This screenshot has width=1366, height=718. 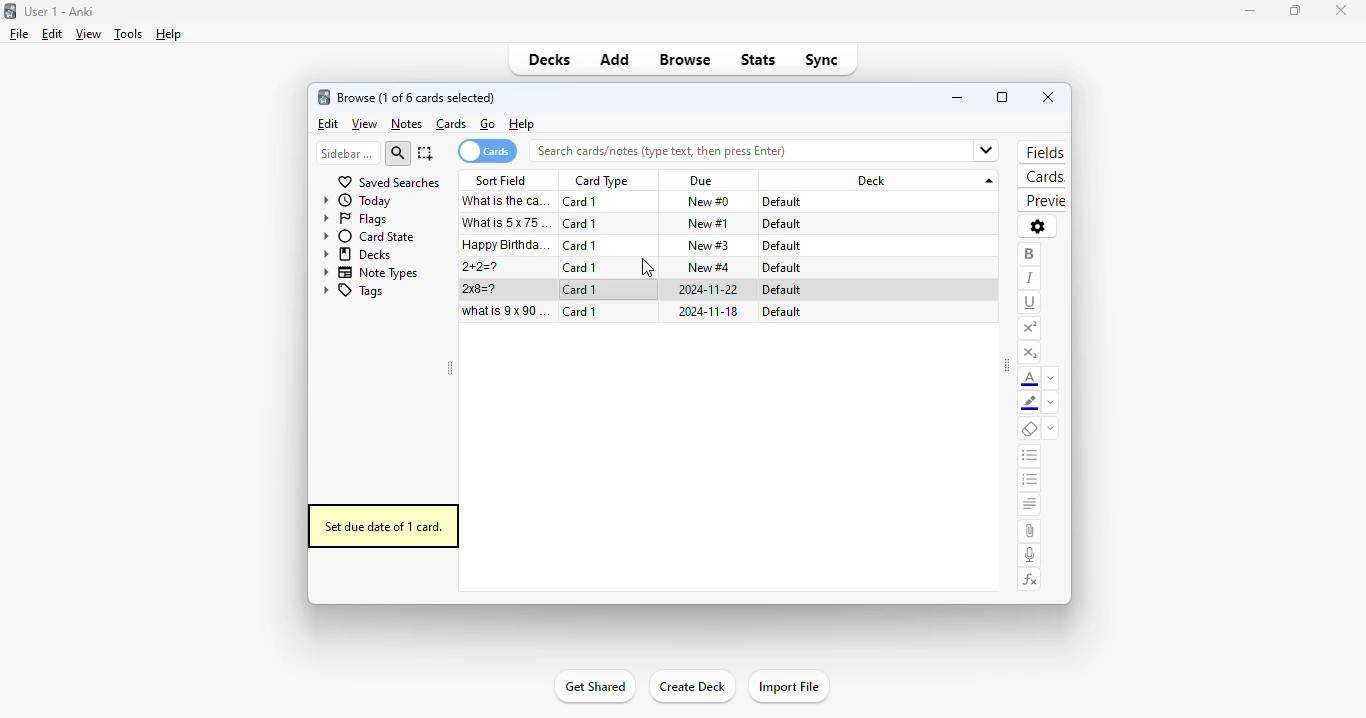 I want to click on card 1, so click(x=580, y=268).